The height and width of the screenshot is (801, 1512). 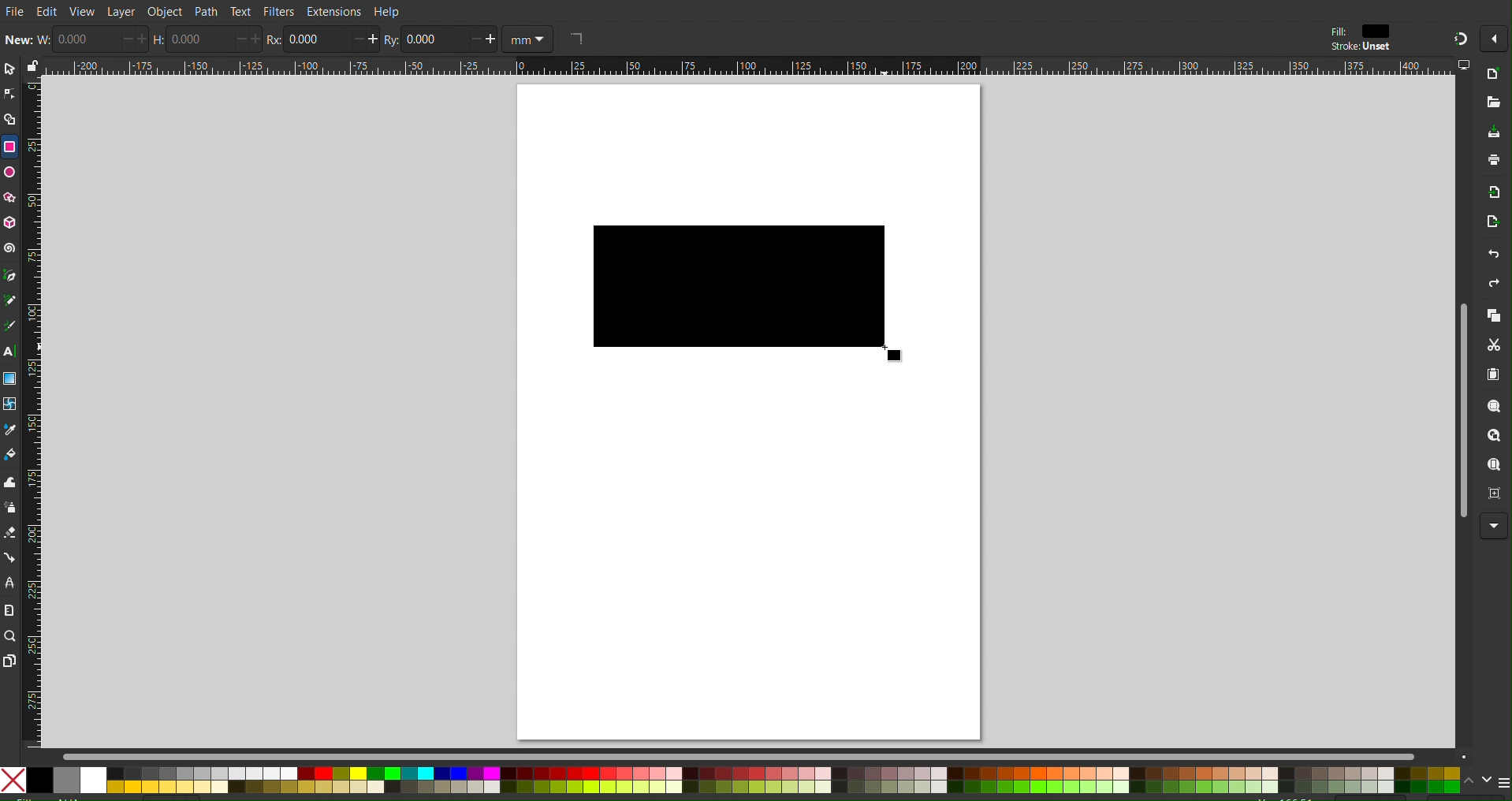 I want to click on RY, so click(x=389, y=40).